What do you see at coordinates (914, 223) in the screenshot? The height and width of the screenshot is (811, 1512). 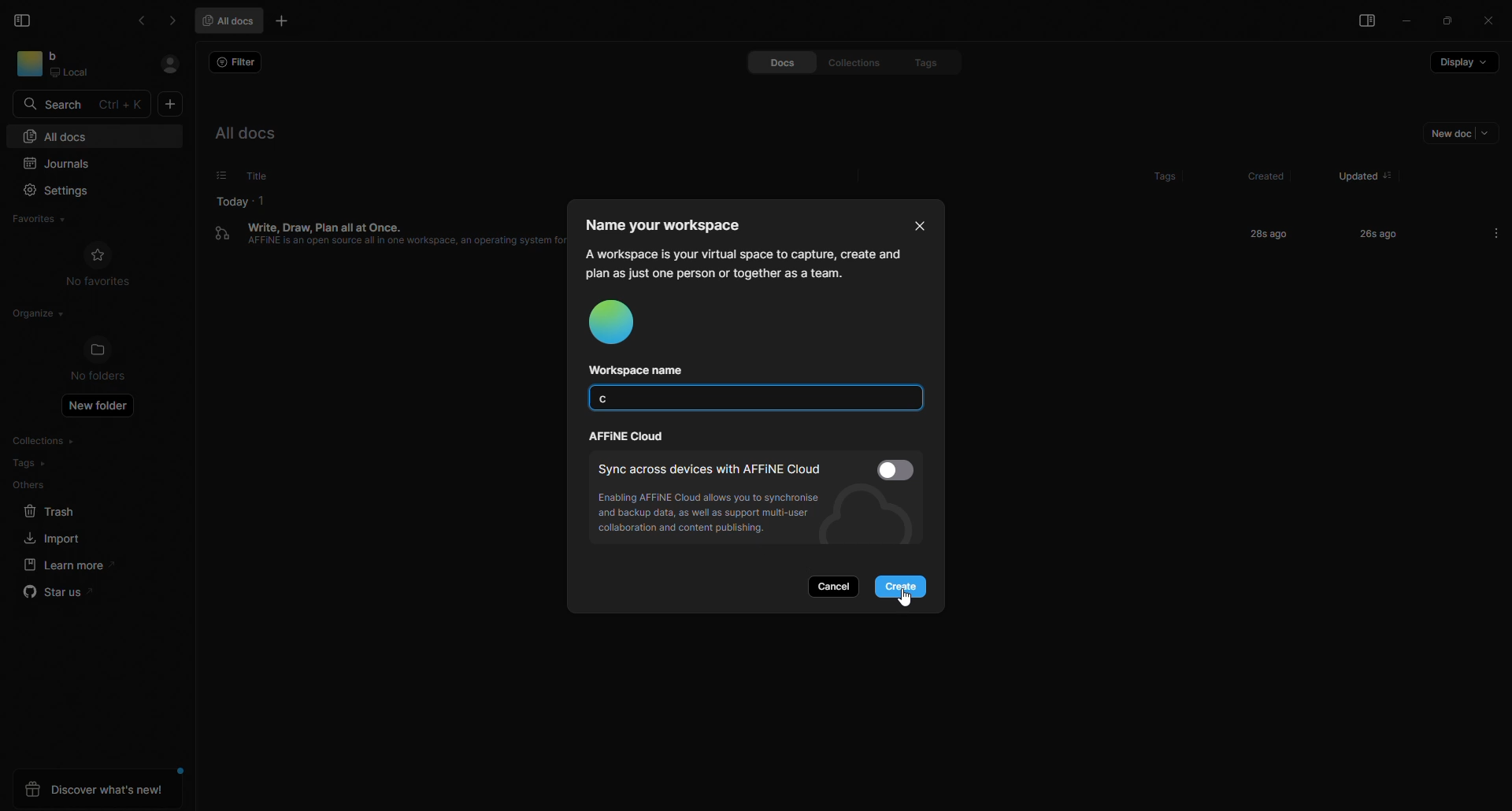 I see `close` at bounding box center [914, 223].